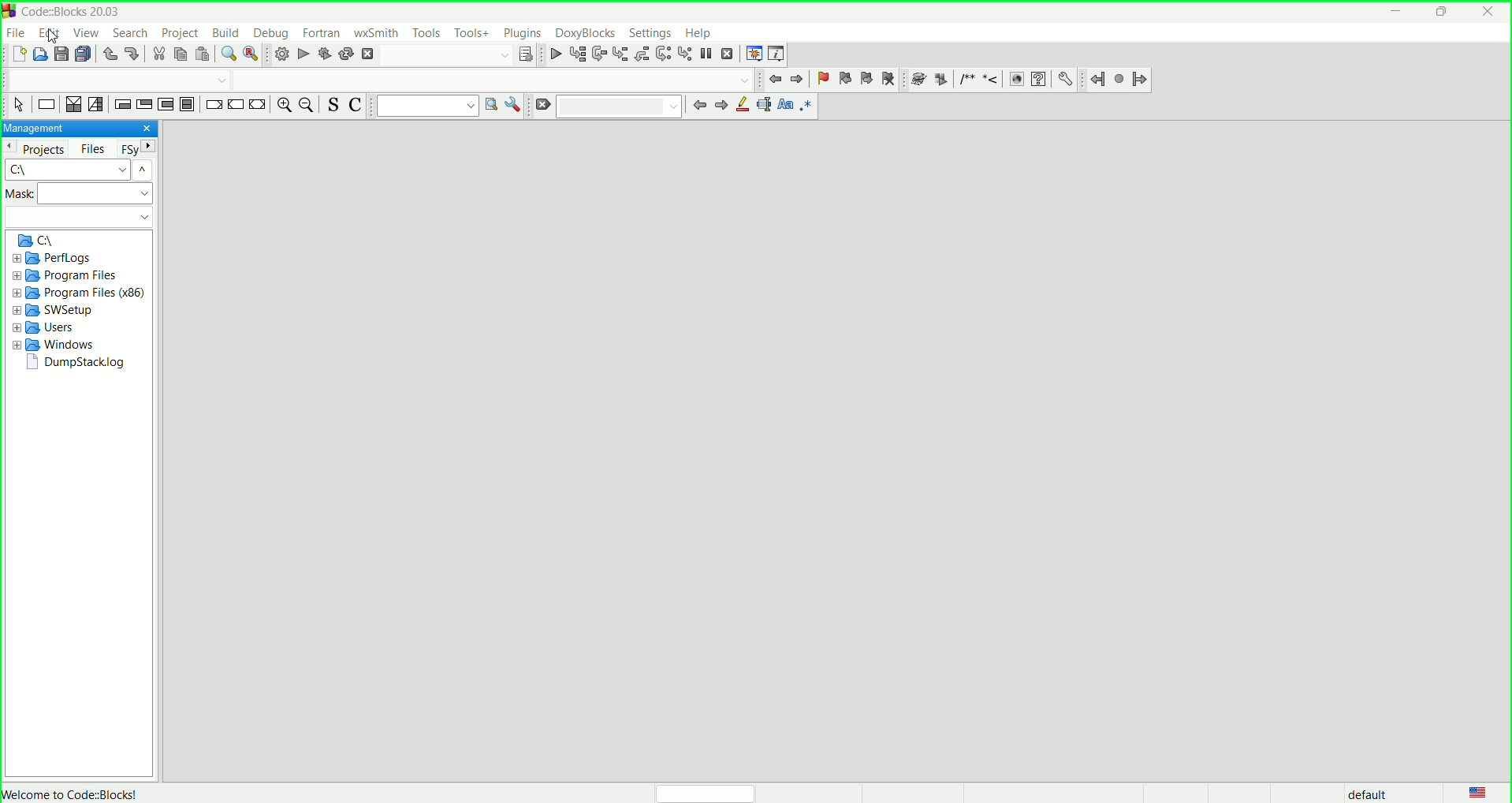  I want to click on Run doxywizard, so click(918, 79).